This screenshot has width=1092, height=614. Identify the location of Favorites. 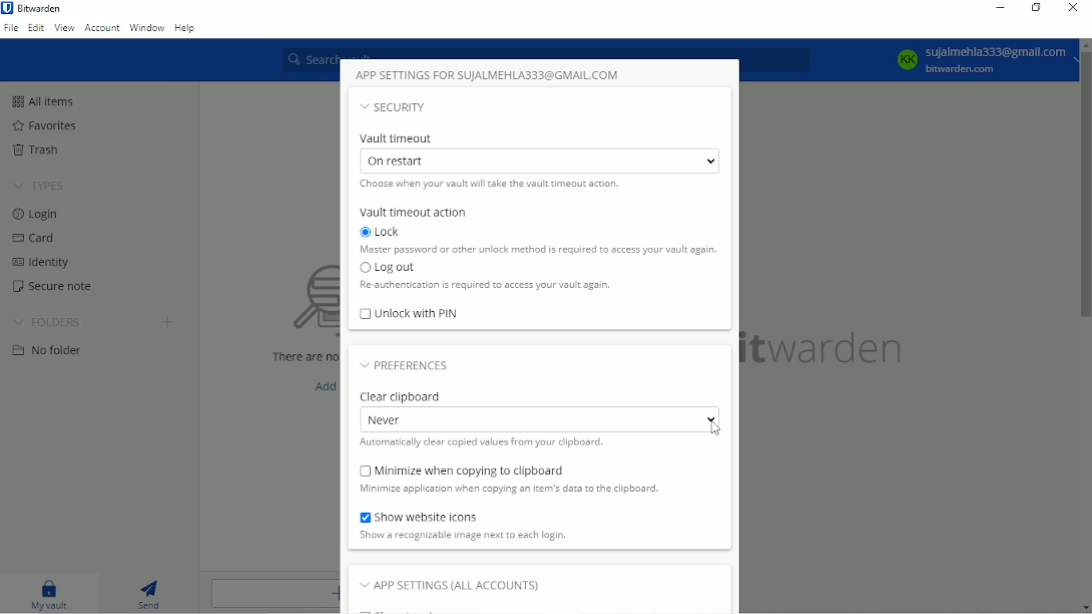
(54, 125).